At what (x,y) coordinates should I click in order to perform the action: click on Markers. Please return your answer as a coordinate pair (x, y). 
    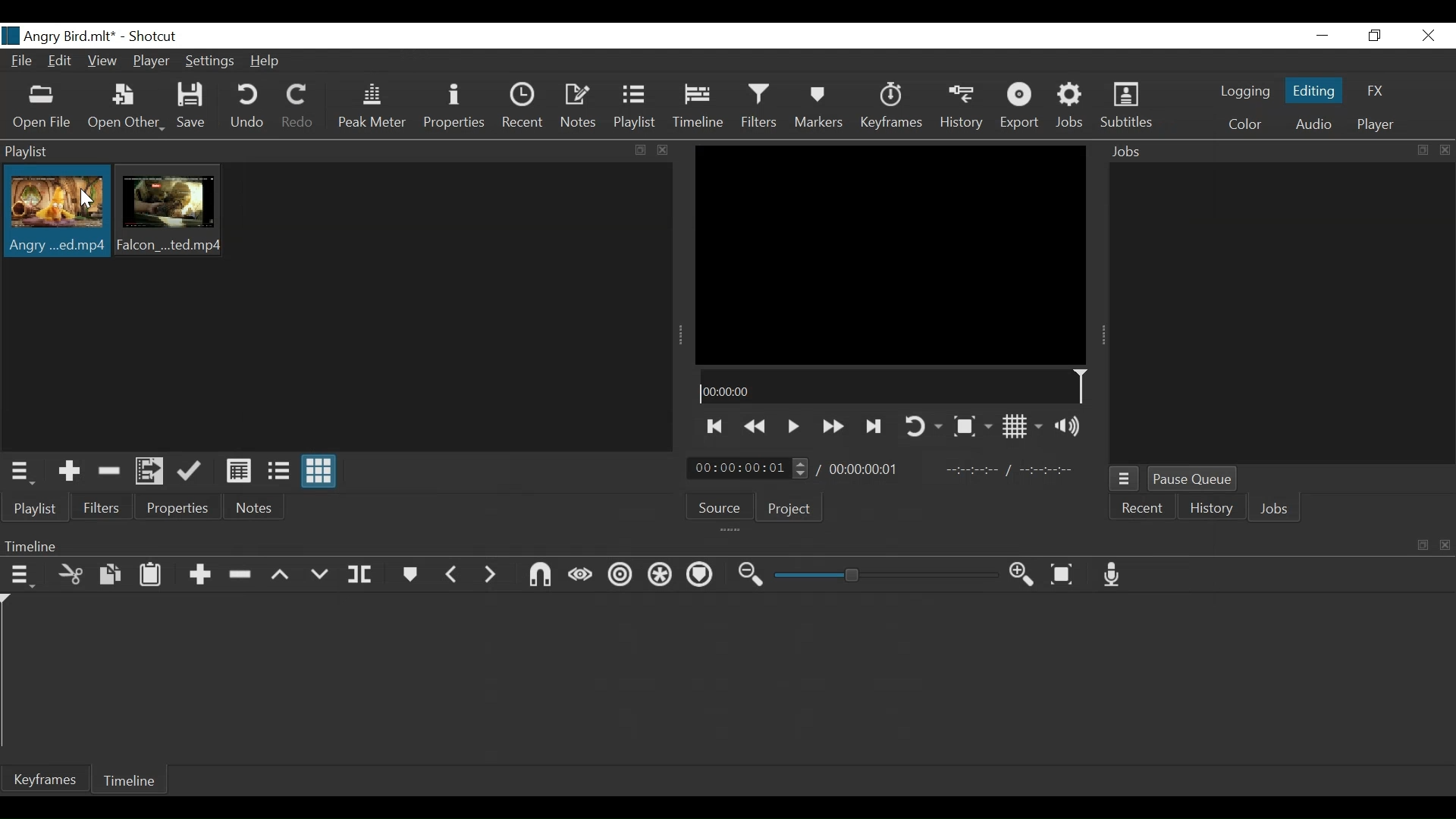
    Looking at the image, I should click on (411, 575).